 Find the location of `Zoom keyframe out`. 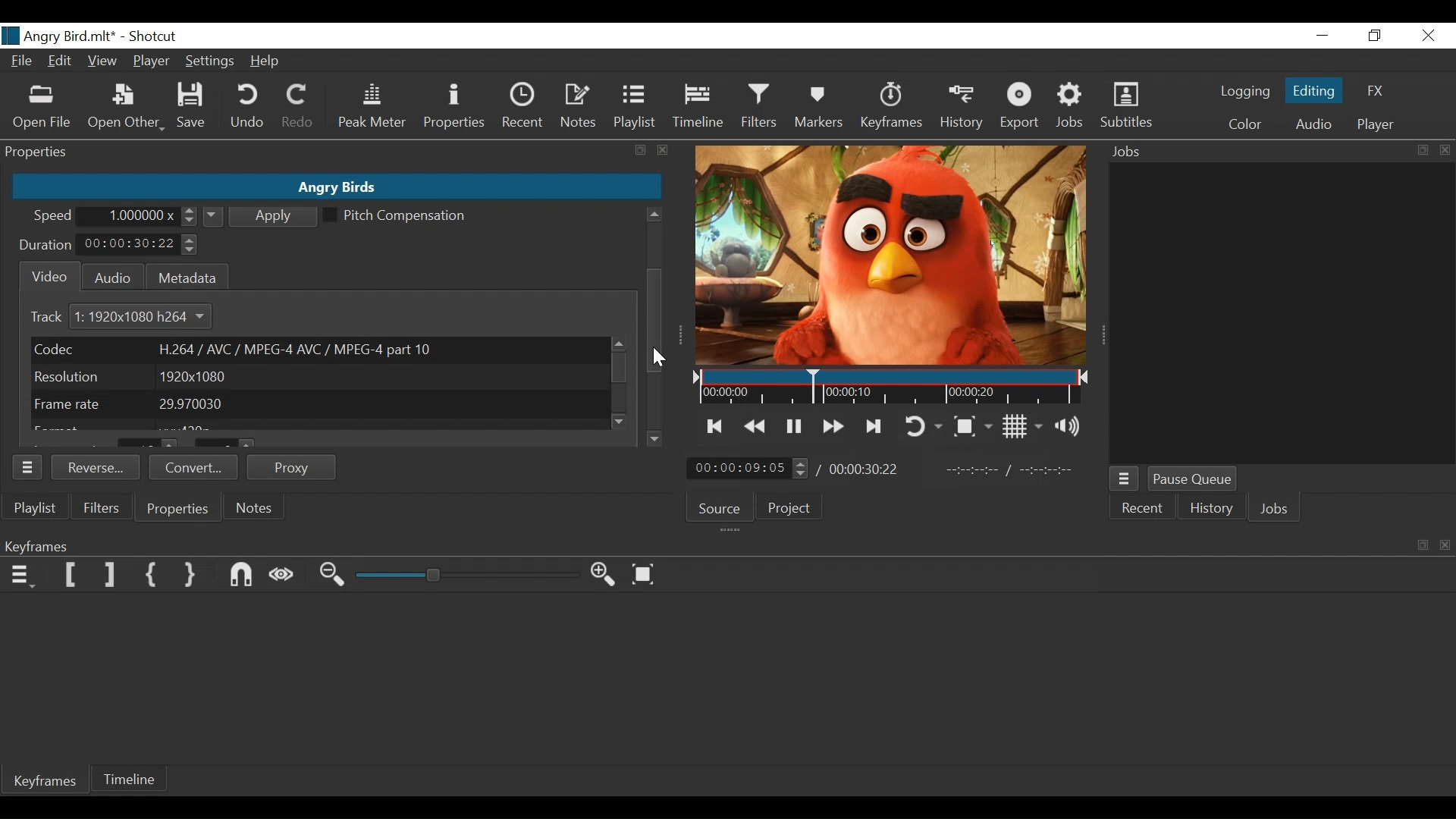

Zoom keyframe out is located at coordinates (334, 576).